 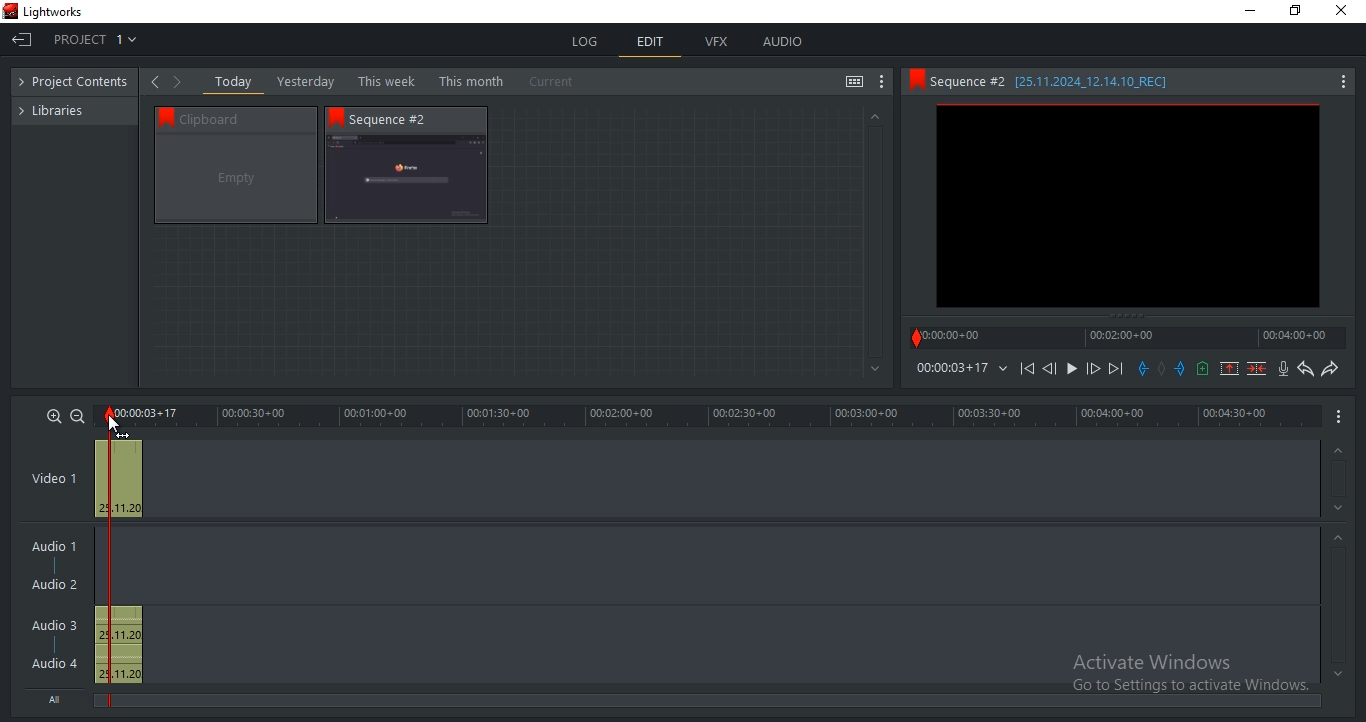 I want to click on sequence 2, so click(x=406, y=180).